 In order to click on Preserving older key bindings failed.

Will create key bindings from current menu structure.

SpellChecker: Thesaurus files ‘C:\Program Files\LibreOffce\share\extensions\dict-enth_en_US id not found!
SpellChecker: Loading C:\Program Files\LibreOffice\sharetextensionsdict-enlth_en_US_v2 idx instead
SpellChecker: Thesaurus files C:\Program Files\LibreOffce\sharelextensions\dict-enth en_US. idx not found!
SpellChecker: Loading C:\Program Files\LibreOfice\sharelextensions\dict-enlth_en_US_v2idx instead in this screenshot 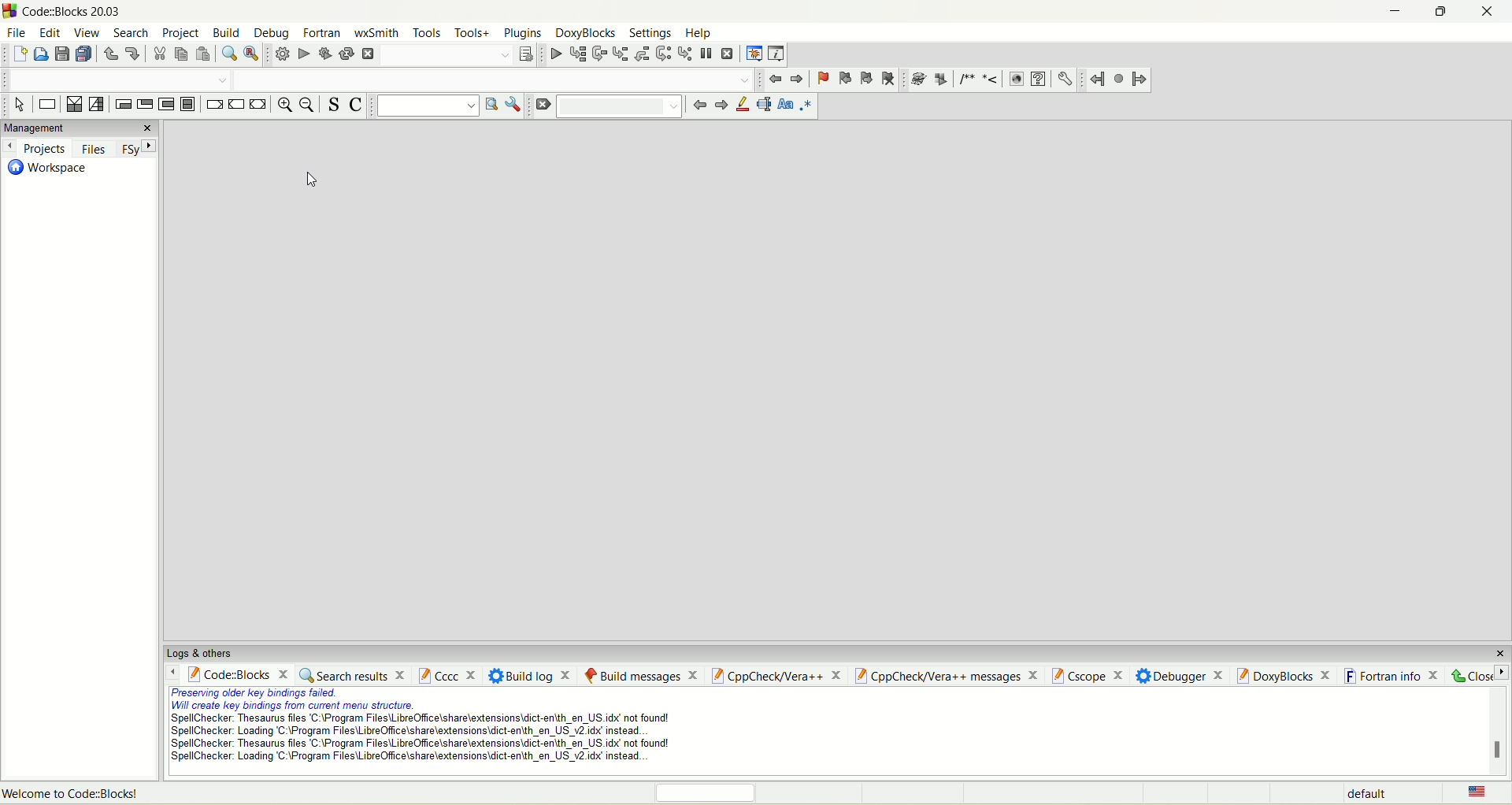, I will do `click(413, 729)`.